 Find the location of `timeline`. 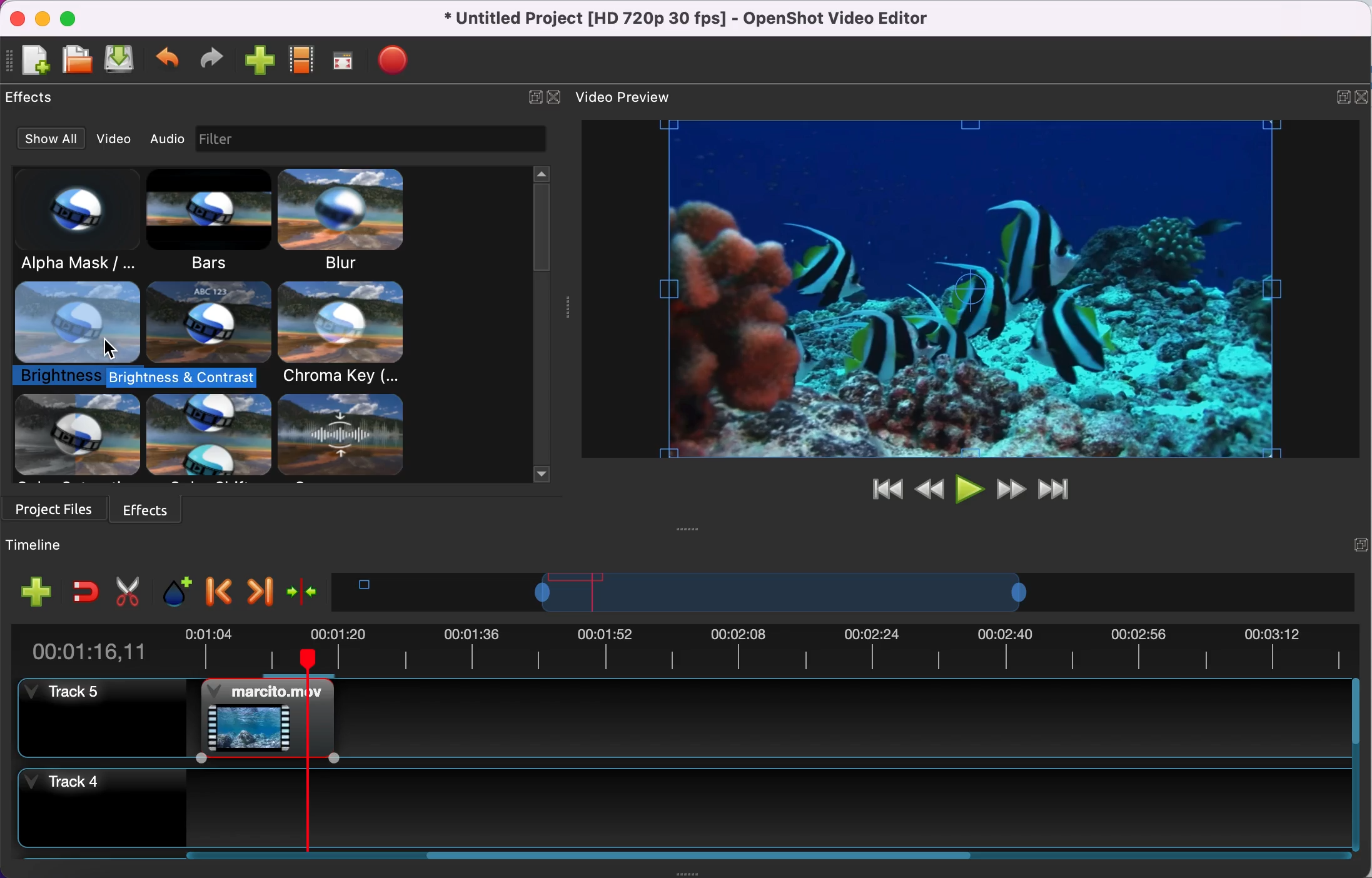

timeline is located at coordinates (67, 544).